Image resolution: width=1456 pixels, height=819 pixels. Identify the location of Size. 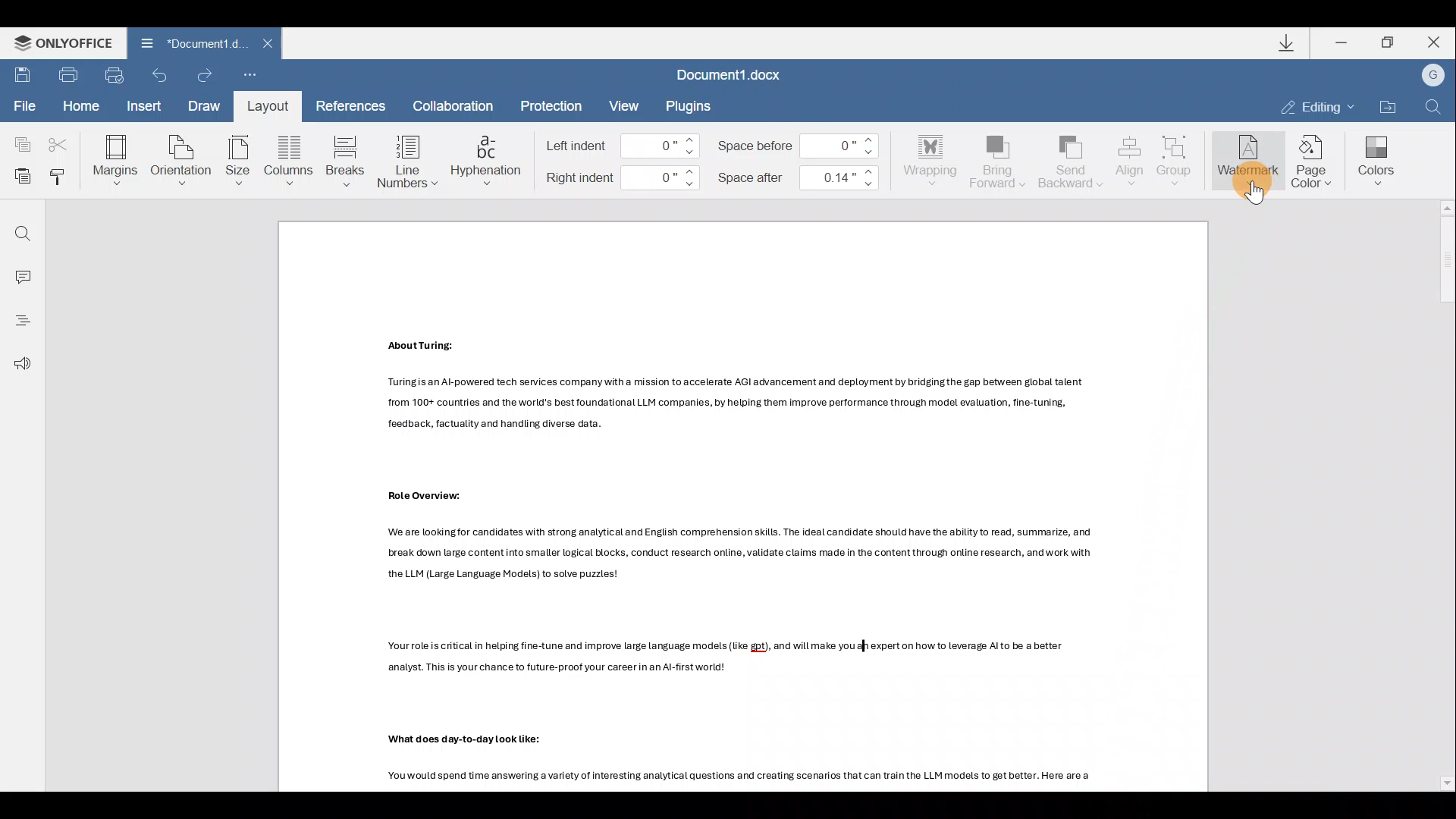
(238, 159).